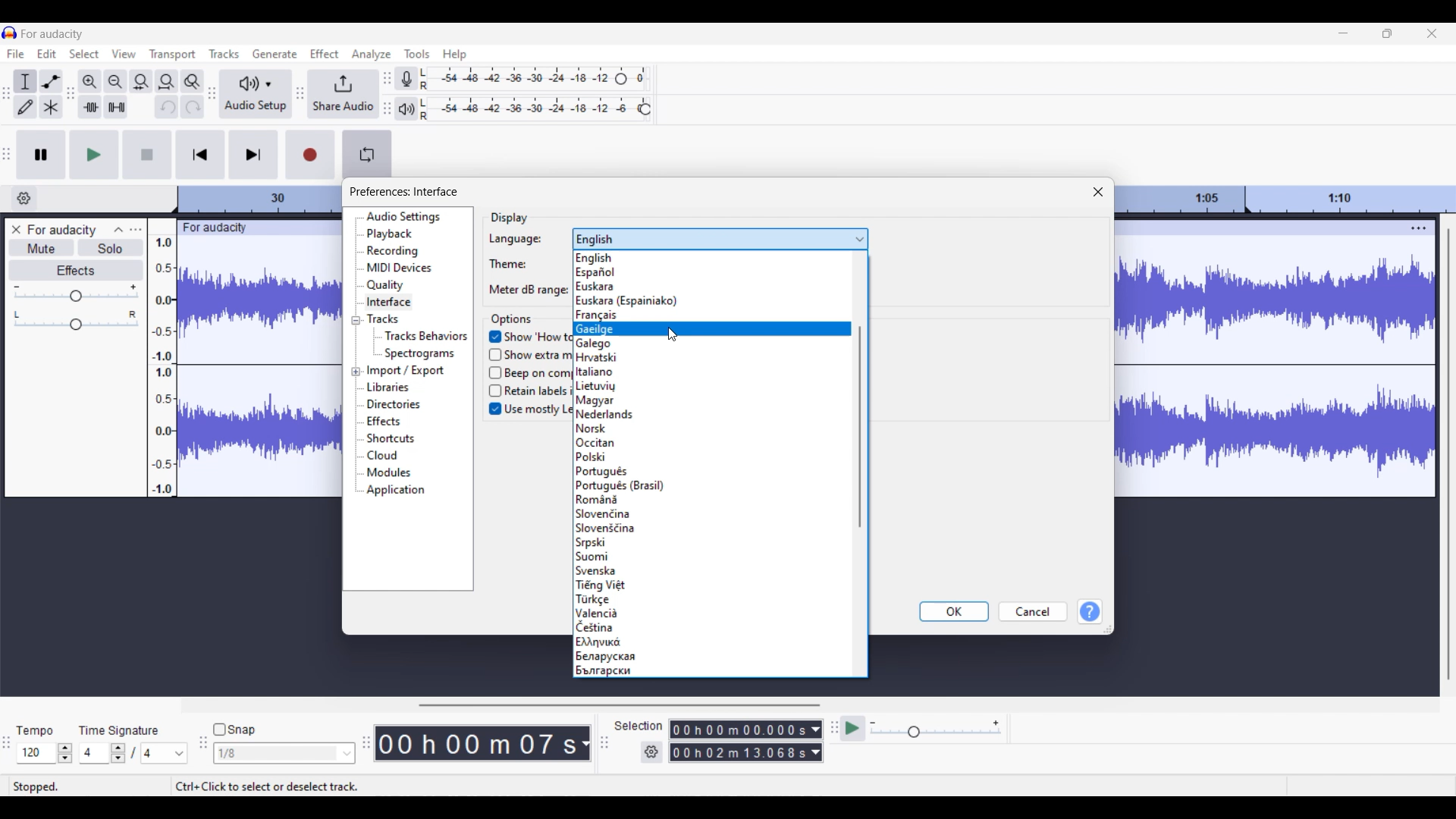 The image size is (1456, 819). I want to click on Pan scale, so click(76, 320).